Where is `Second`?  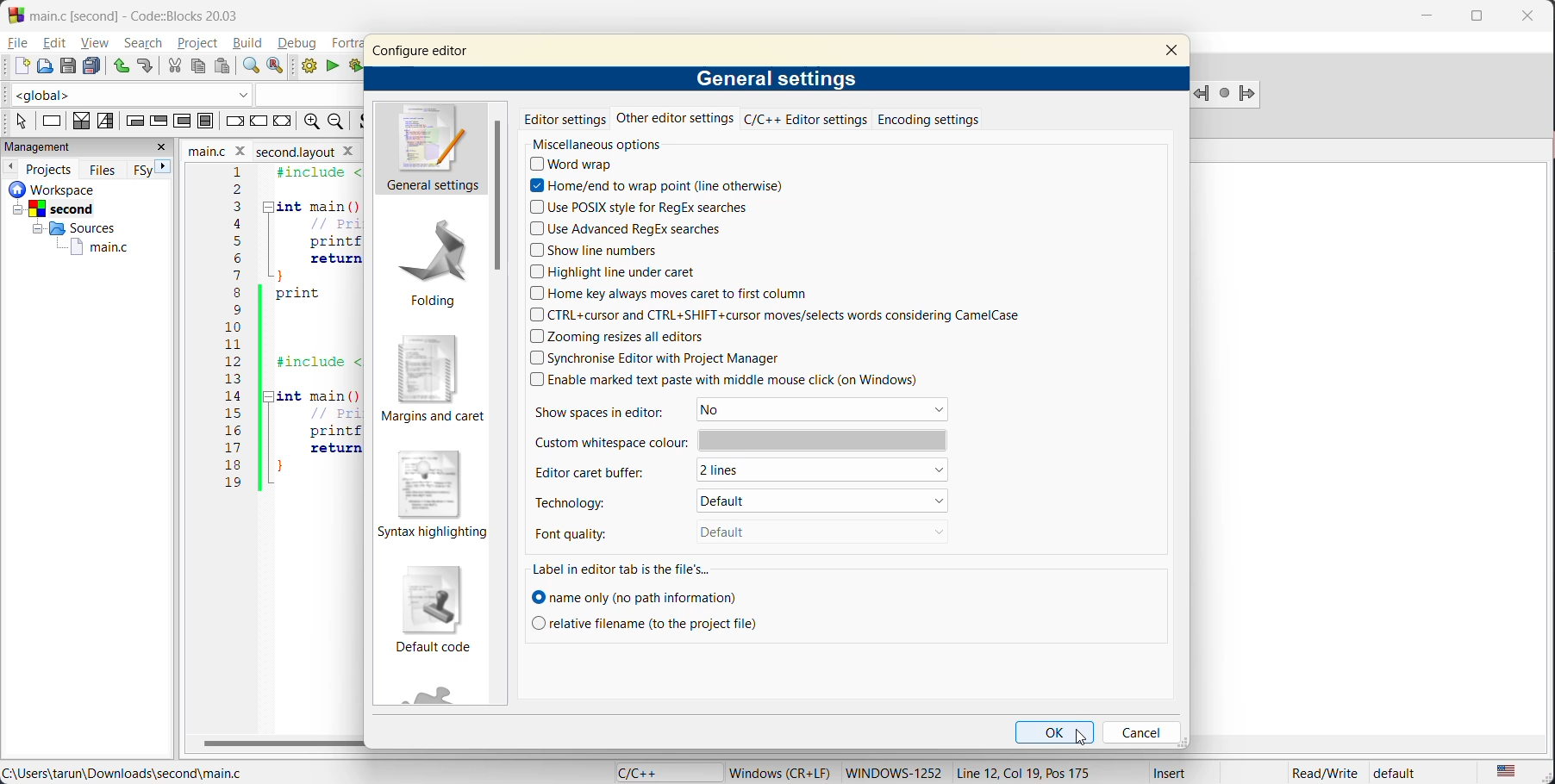
Second is located at coordinates (76, 208).